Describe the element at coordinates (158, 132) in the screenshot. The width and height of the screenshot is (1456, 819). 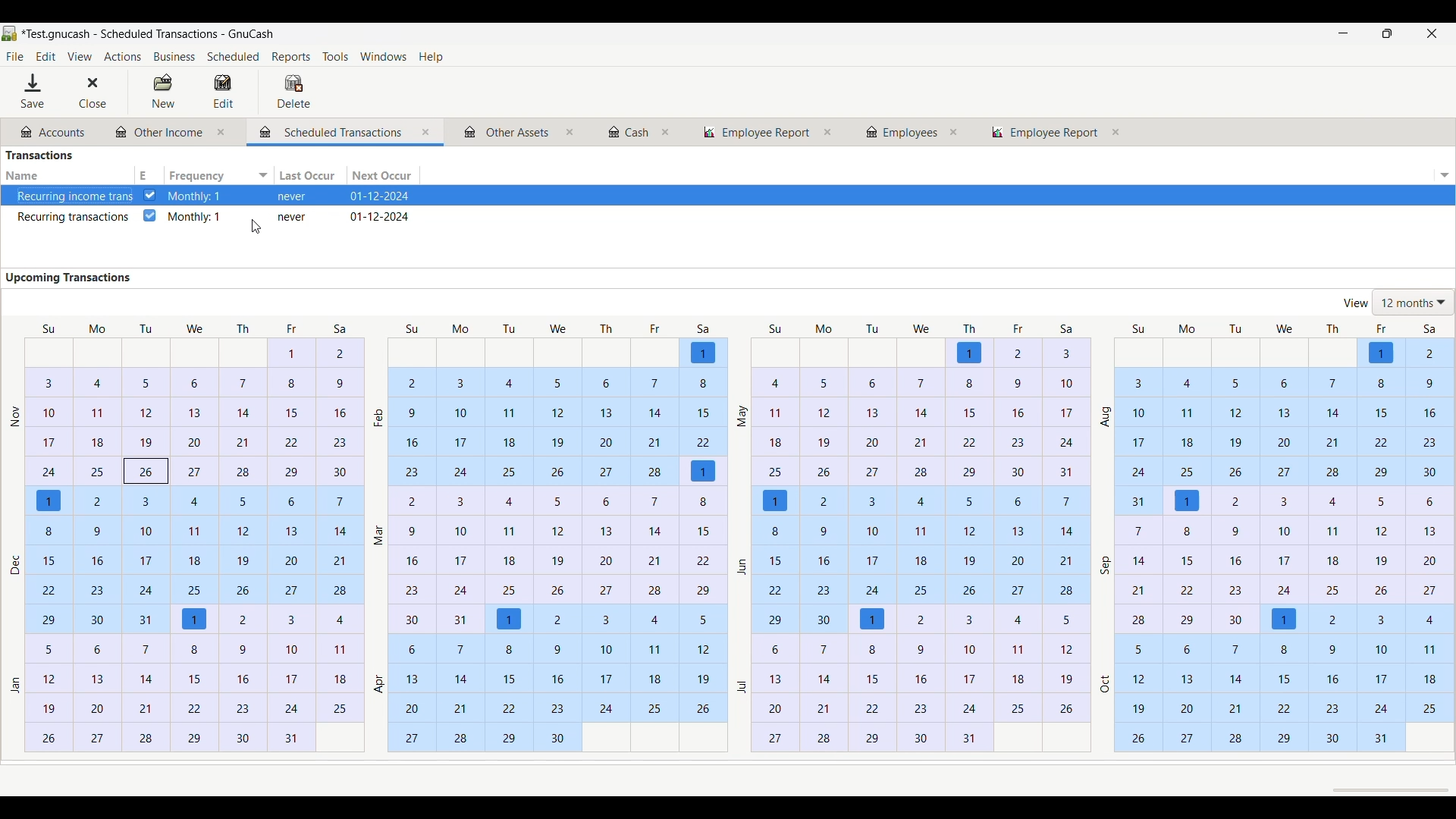
I see `other income` at that location.